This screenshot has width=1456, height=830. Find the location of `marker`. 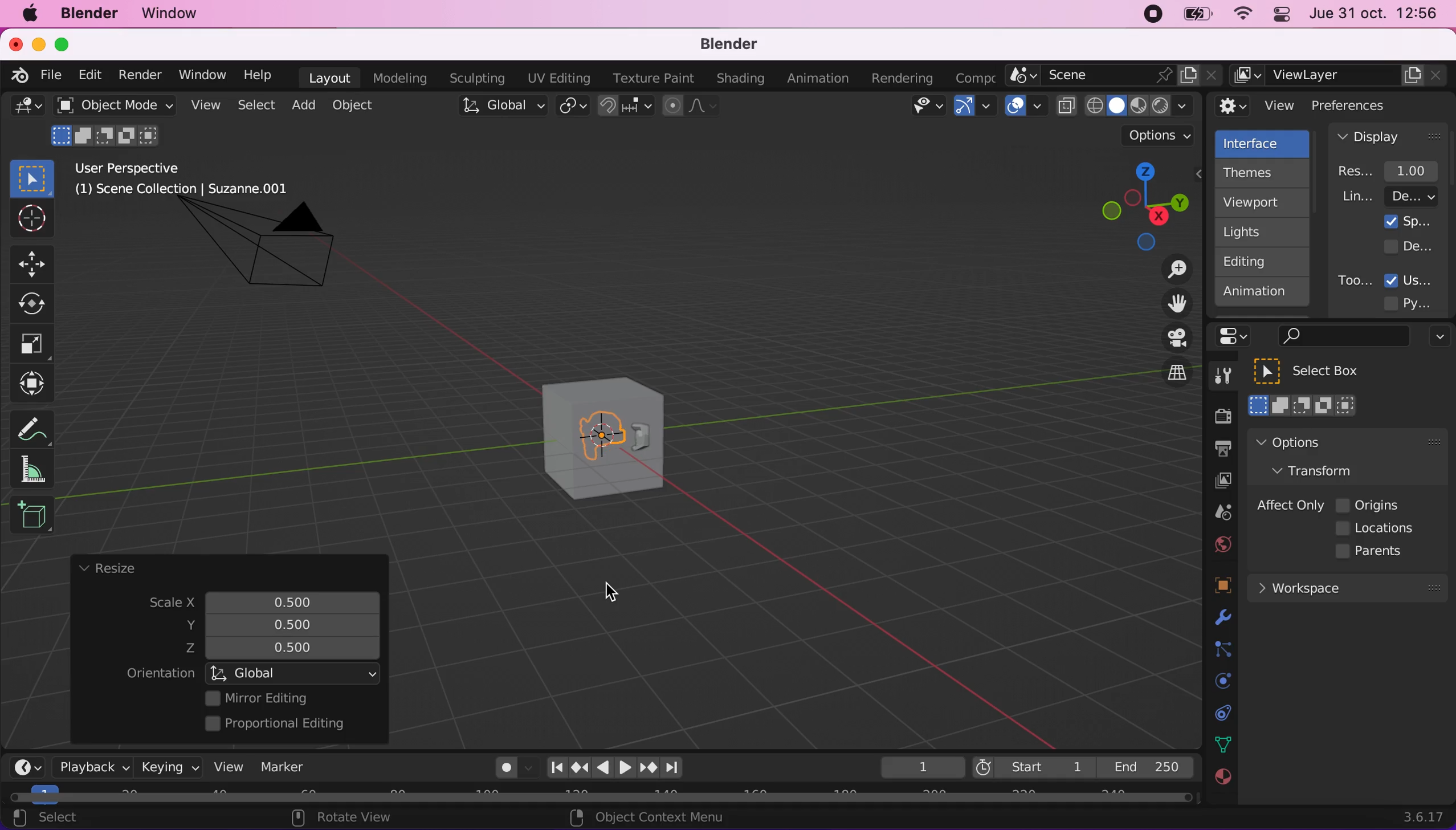

marker is located at coordinates (283, 767).